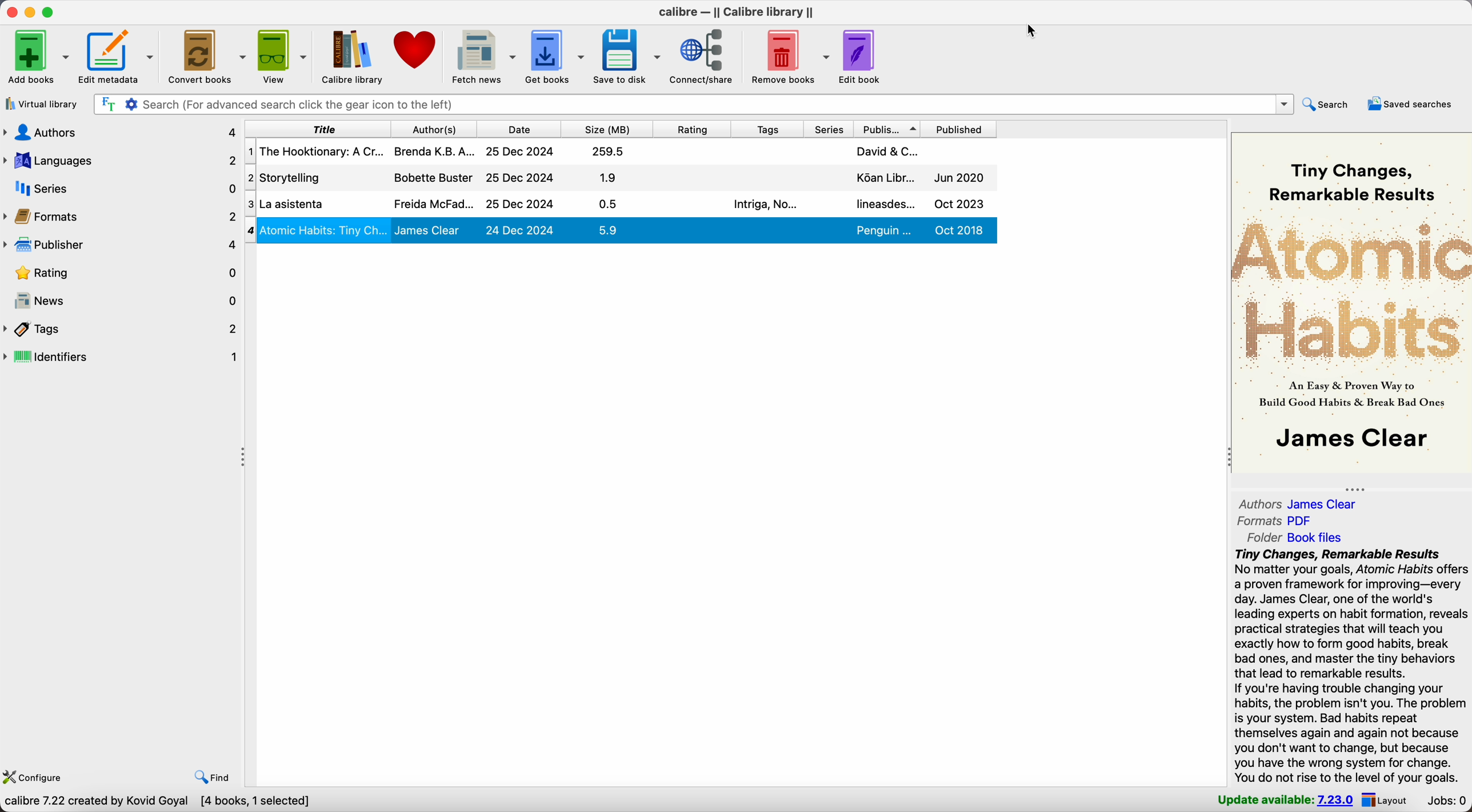  What do you see at coordinates (243, 458) in the screenshot?
I see `toggle expand/contract` at bounding box center [243, 458].